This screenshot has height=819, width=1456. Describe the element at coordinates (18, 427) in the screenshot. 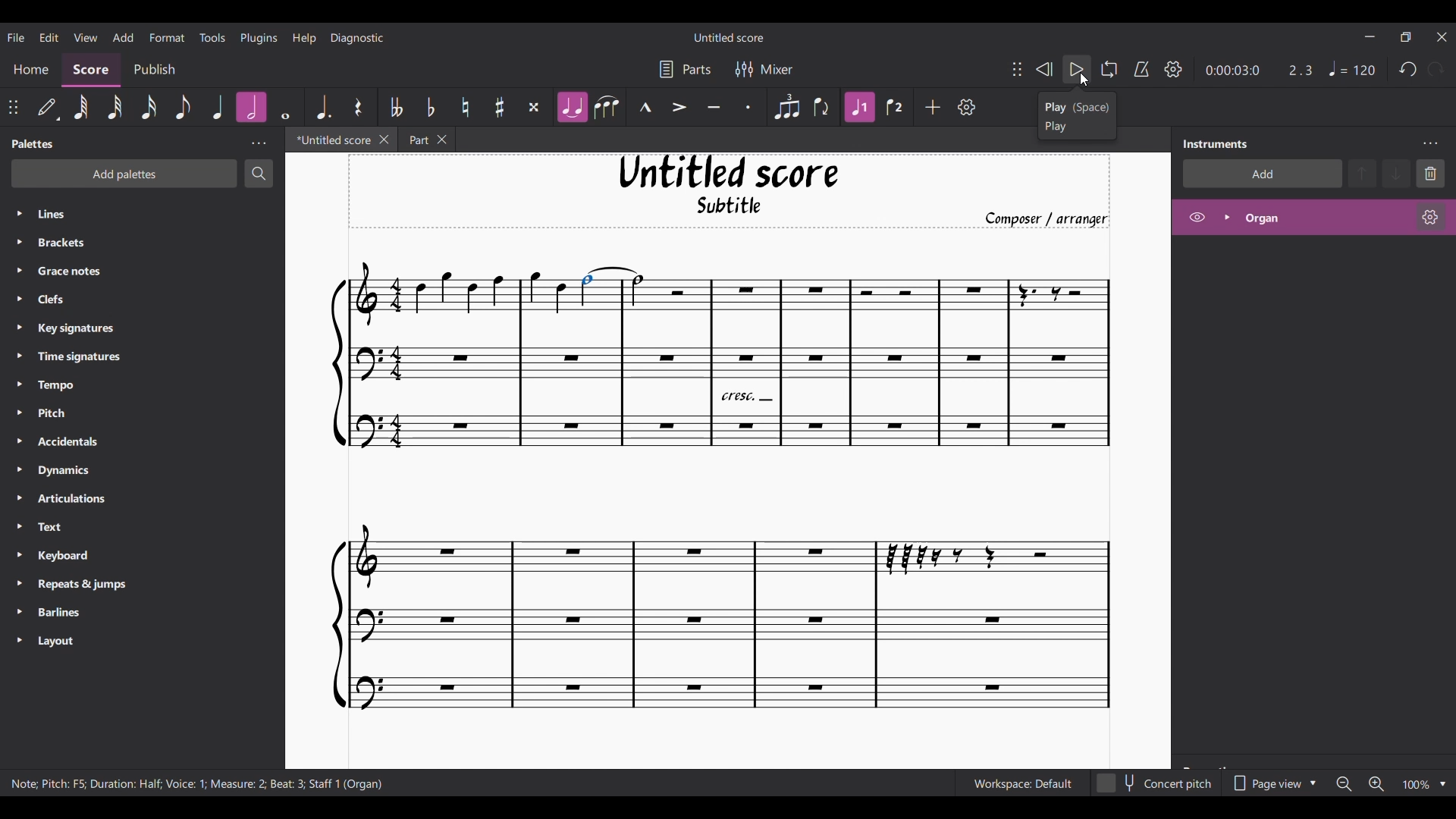

I see `Click to expand respective palette` at that location.